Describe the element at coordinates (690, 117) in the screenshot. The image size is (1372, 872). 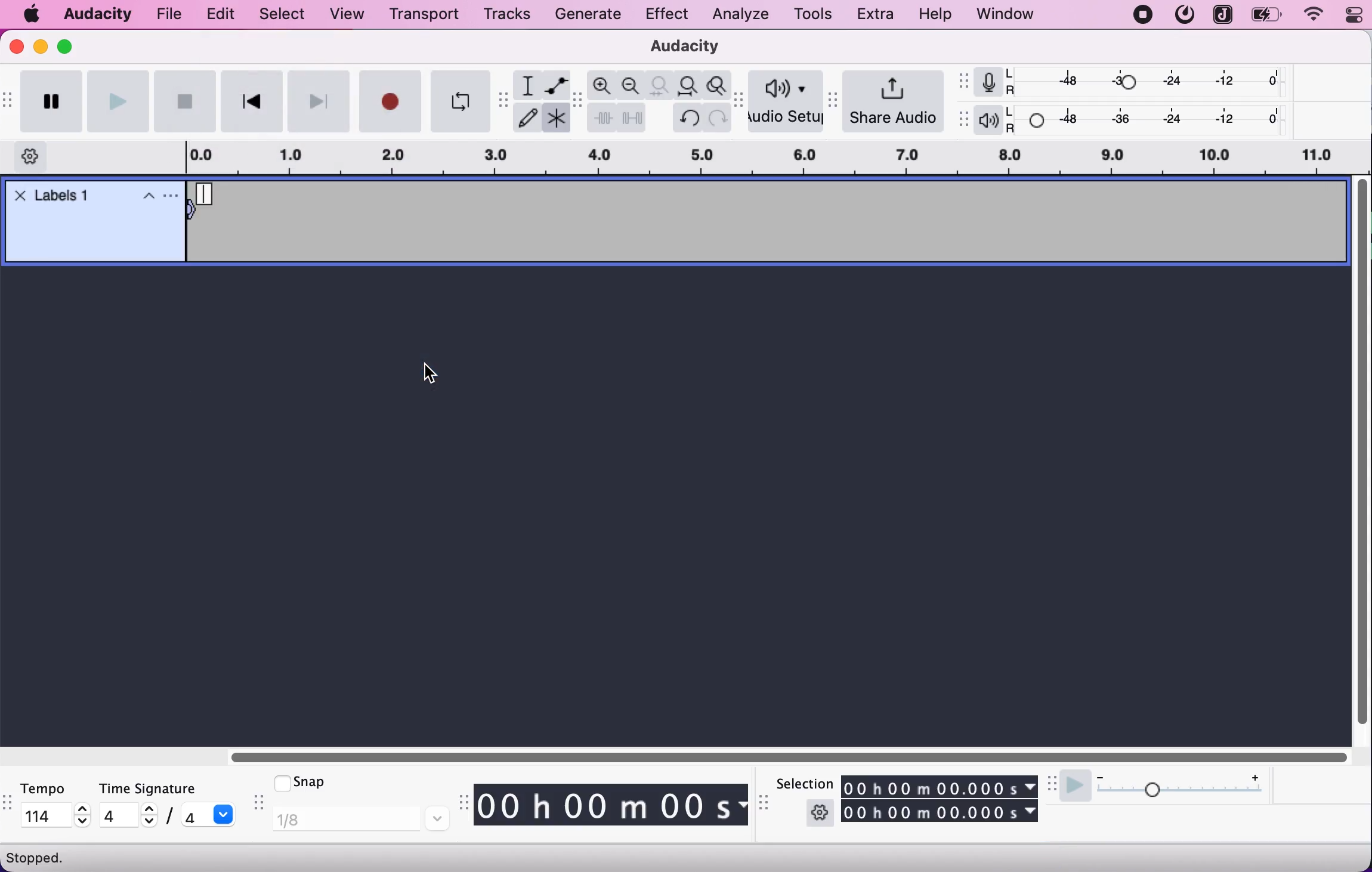
I see `undo` at that location.